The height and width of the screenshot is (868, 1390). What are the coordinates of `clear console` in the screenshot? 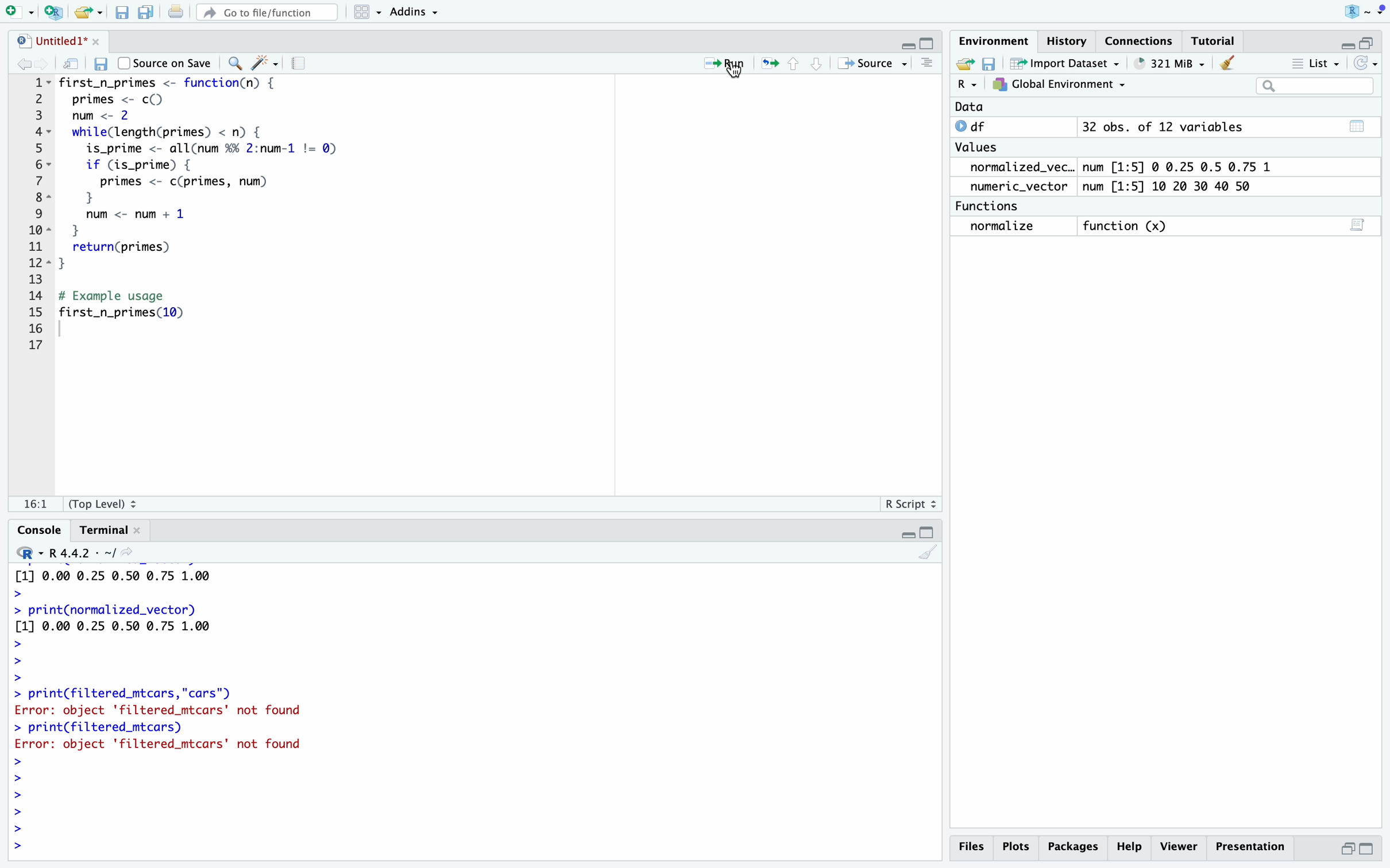 It's located at (921, 555).